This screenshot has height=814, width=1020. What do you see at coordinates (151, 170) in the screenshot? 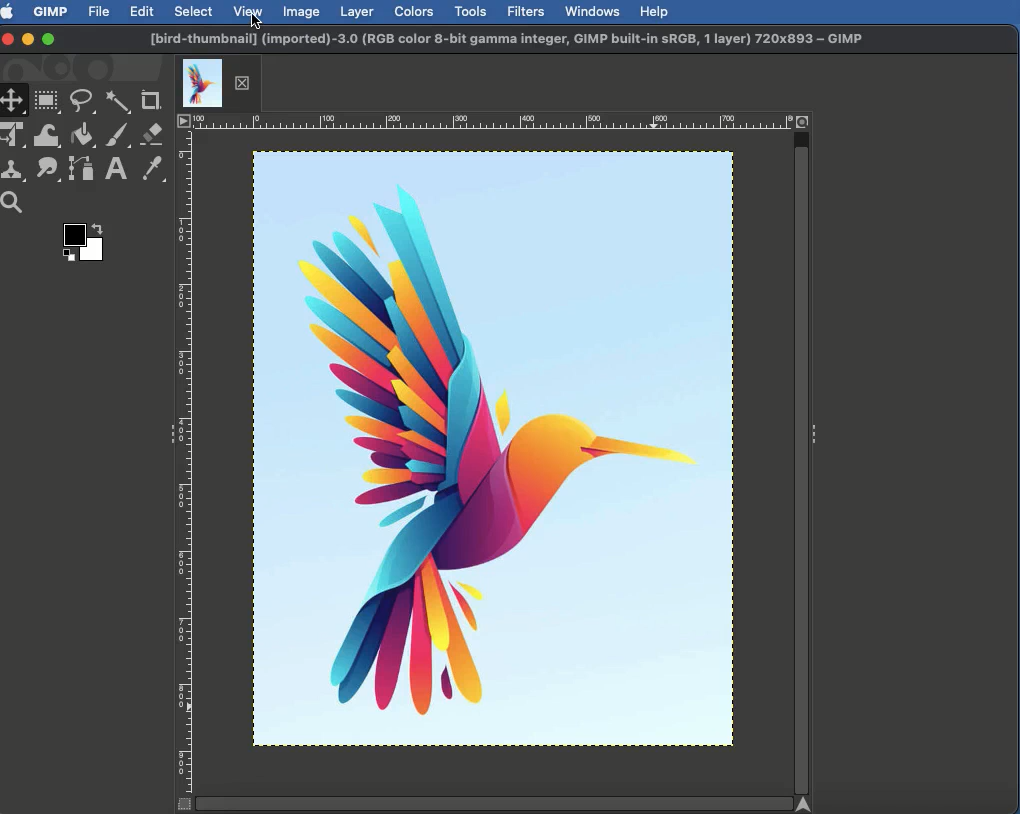
I see `Color picker` at bounding box center [151, 170].